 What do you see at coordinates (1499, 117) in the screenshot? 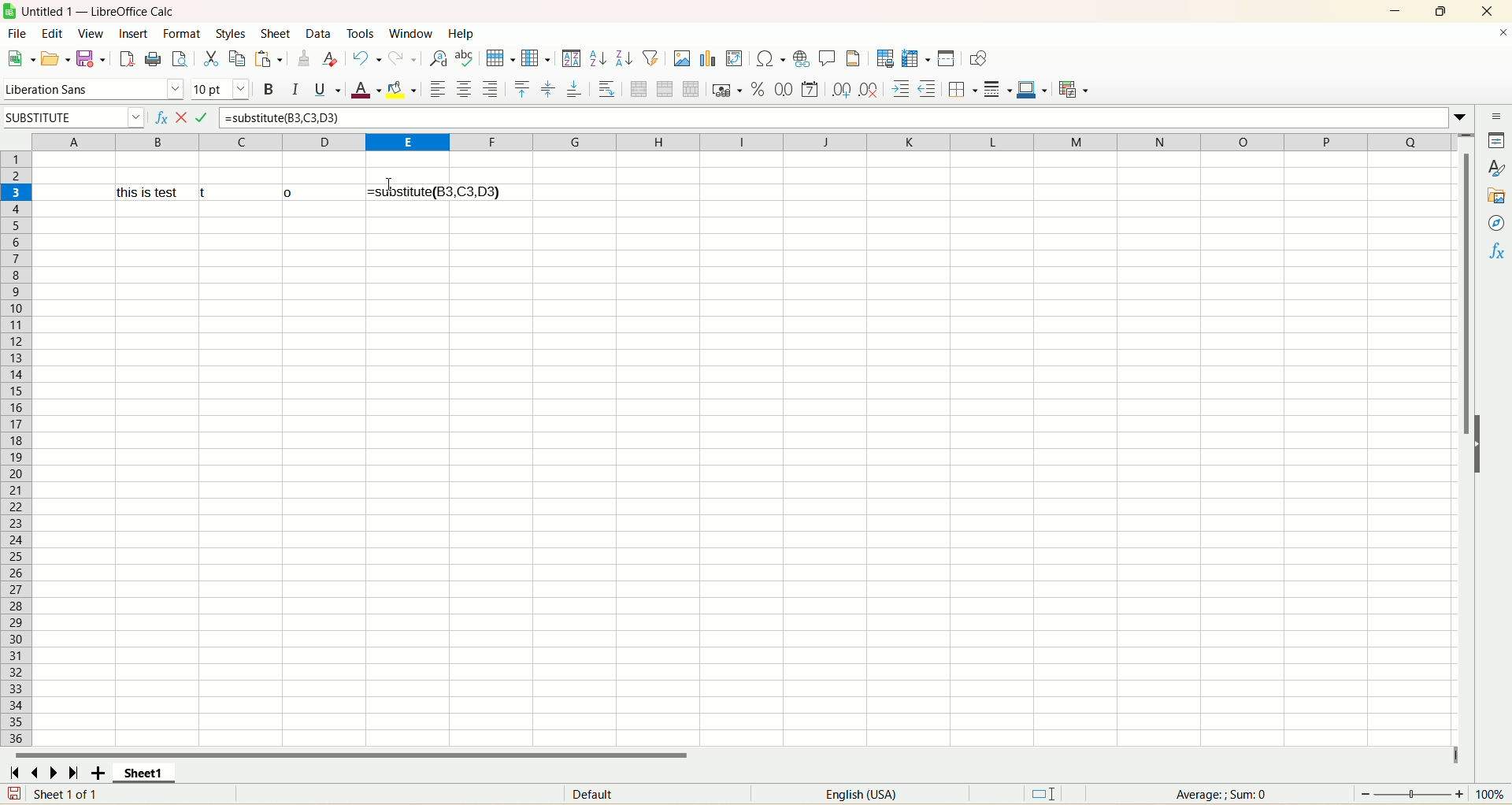
I see `sidebar` at bounding box center [1499, 117].